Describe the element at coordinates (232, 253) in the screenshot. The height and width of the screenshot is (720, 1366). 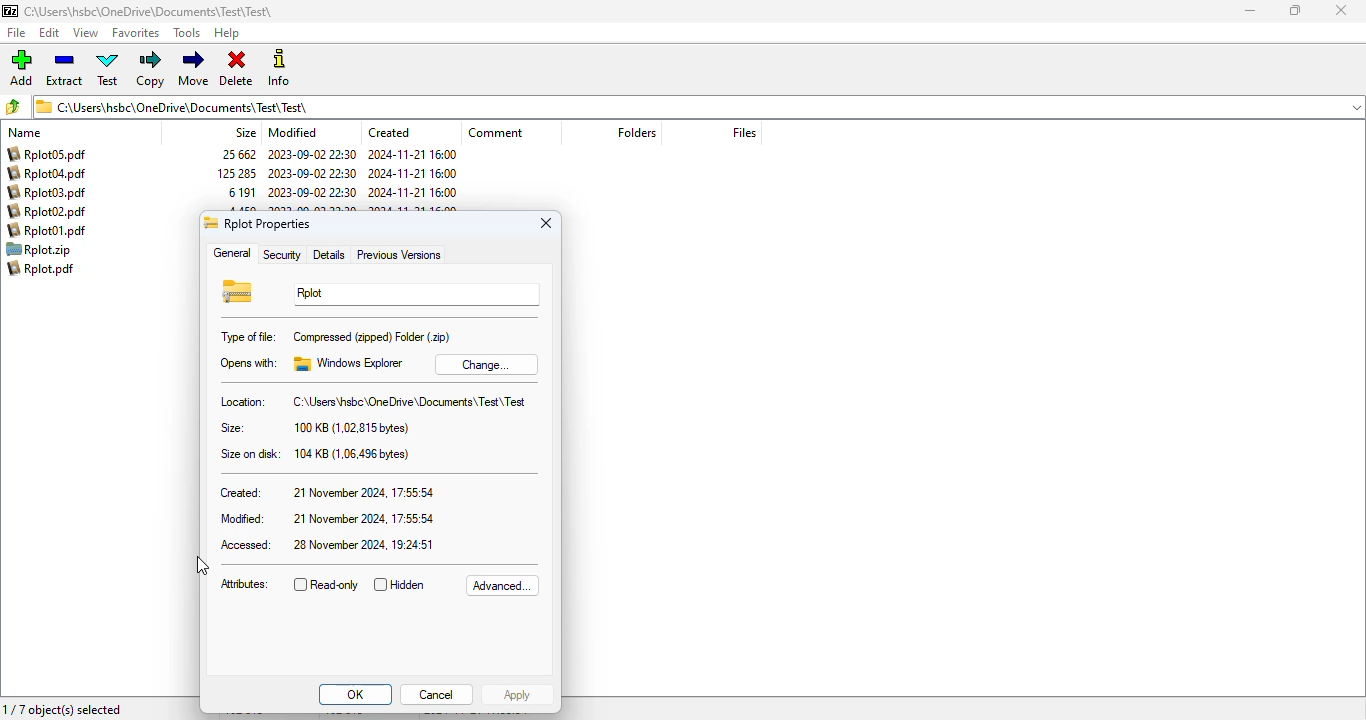
I see `general` at that location.